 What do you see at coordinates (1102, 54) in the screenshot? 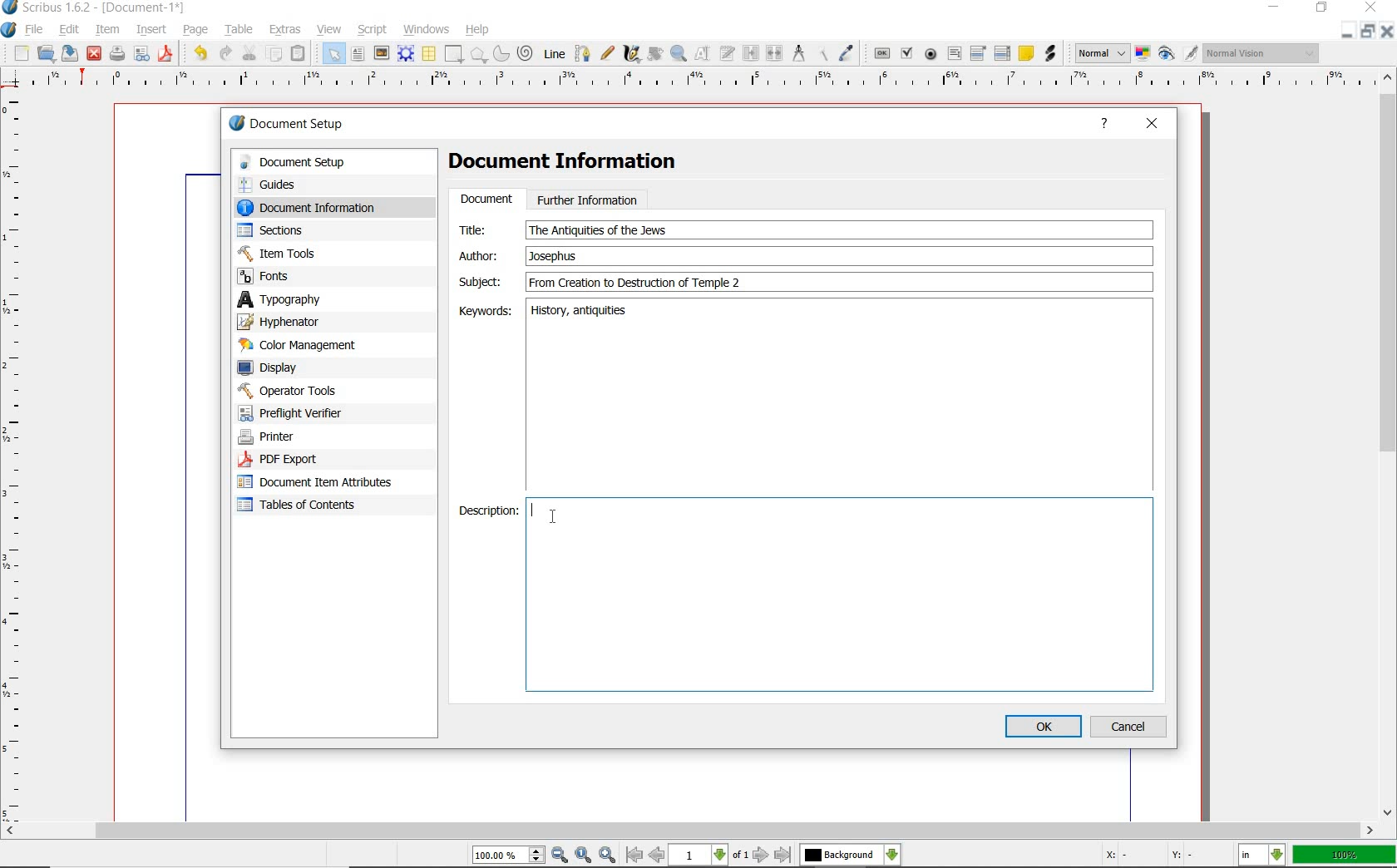
I see `select image preview mode` at bounding box center [1102, 54].